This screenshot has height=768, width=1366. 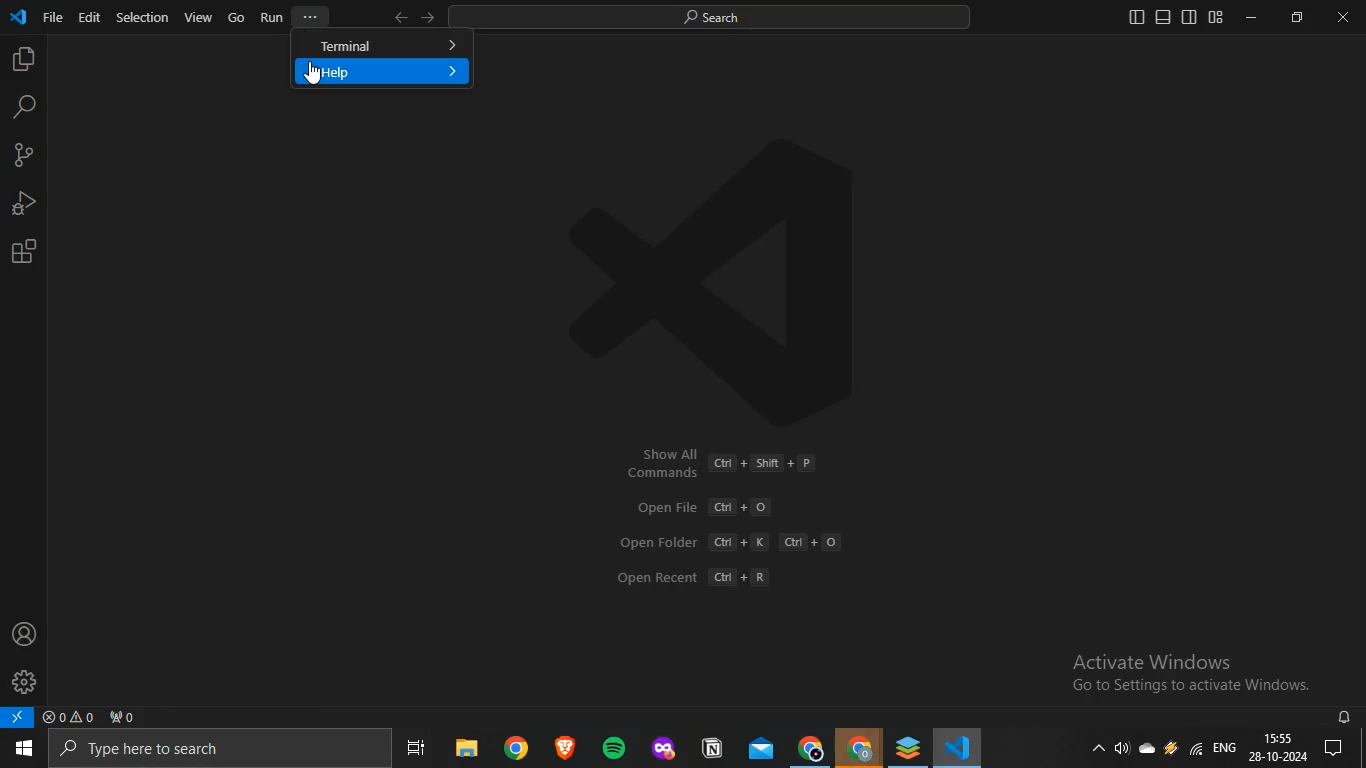 What do you see at coordinates (1121, 751) in the screenshot?
I see `volume` at bounding box center [1121, 751].